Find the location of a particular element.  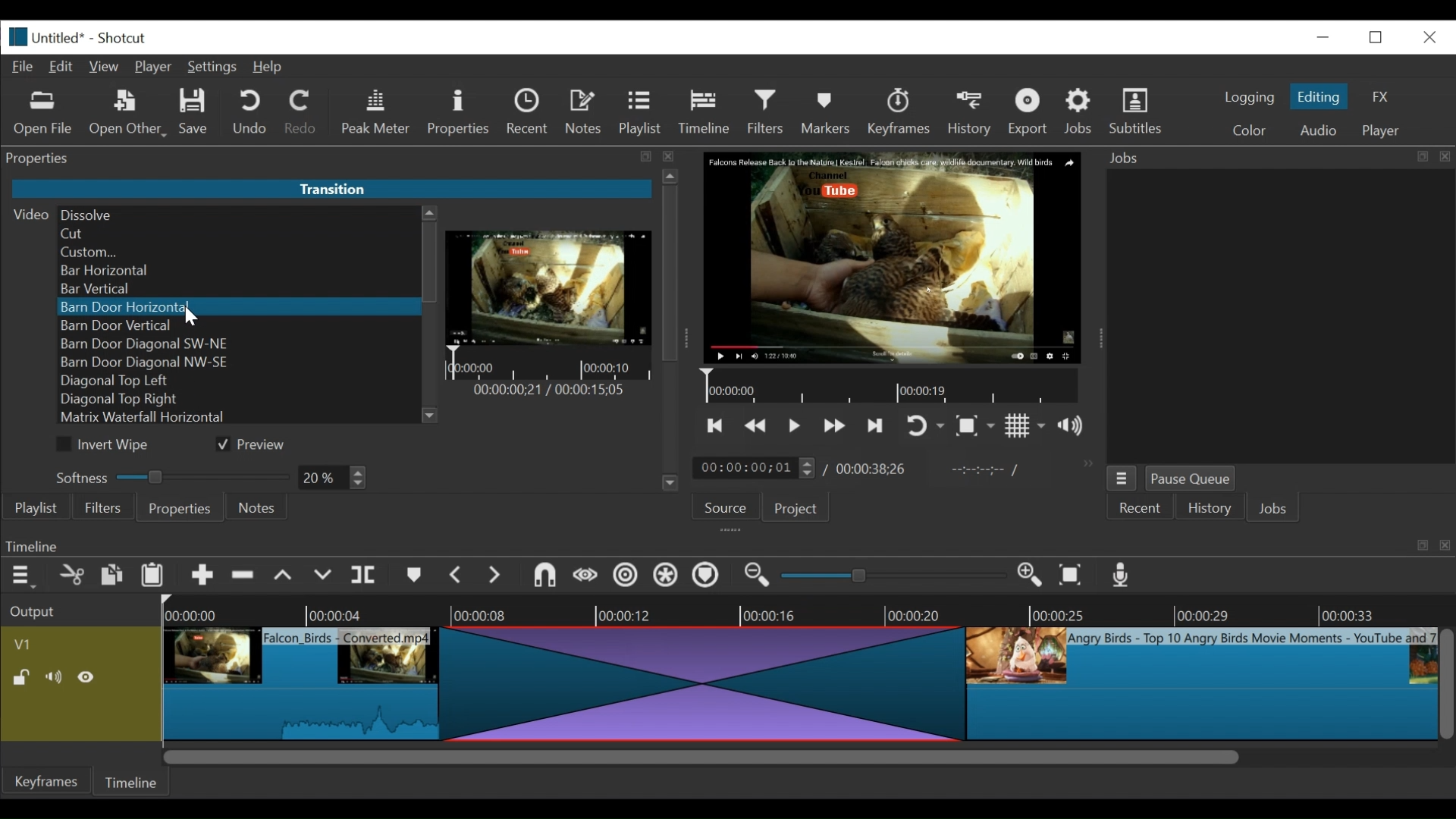

Ripple  is located at coordinates (626, 577).